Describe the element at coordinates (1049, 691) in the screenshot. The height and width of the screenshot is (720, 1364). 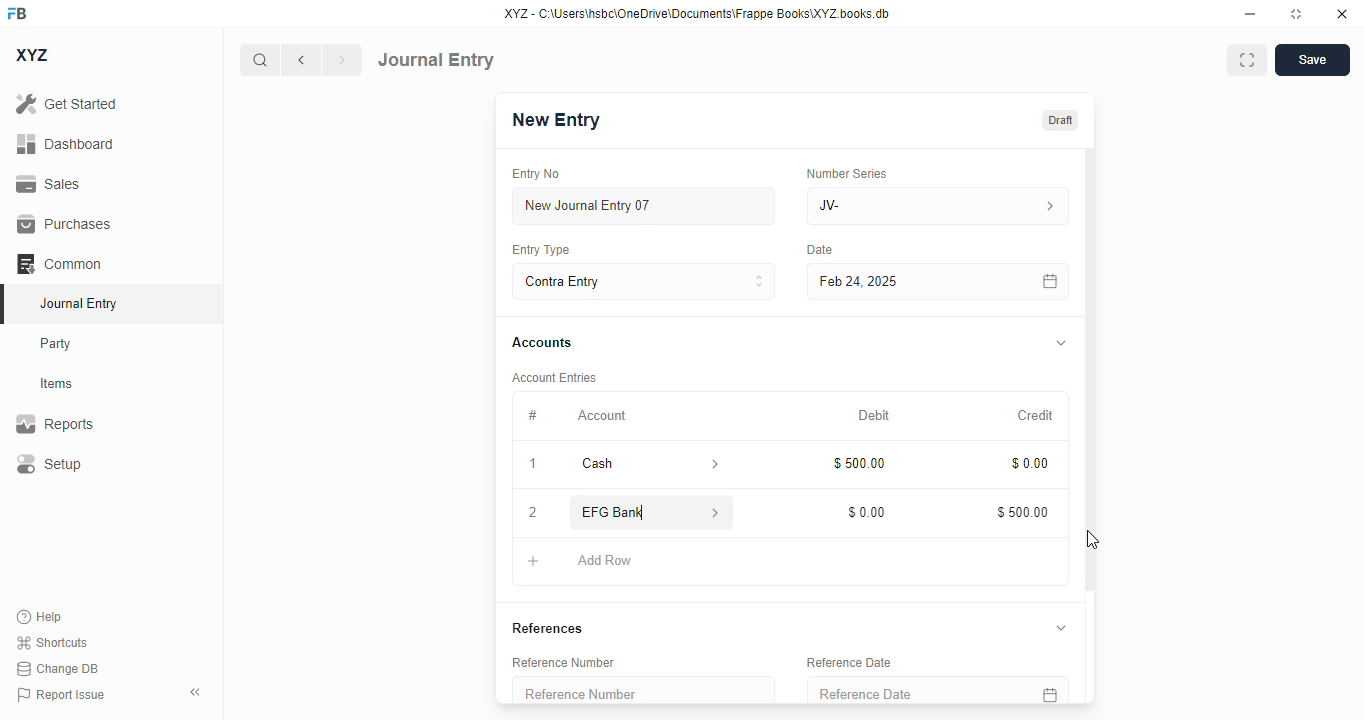
I see `calendar icon` at that location.